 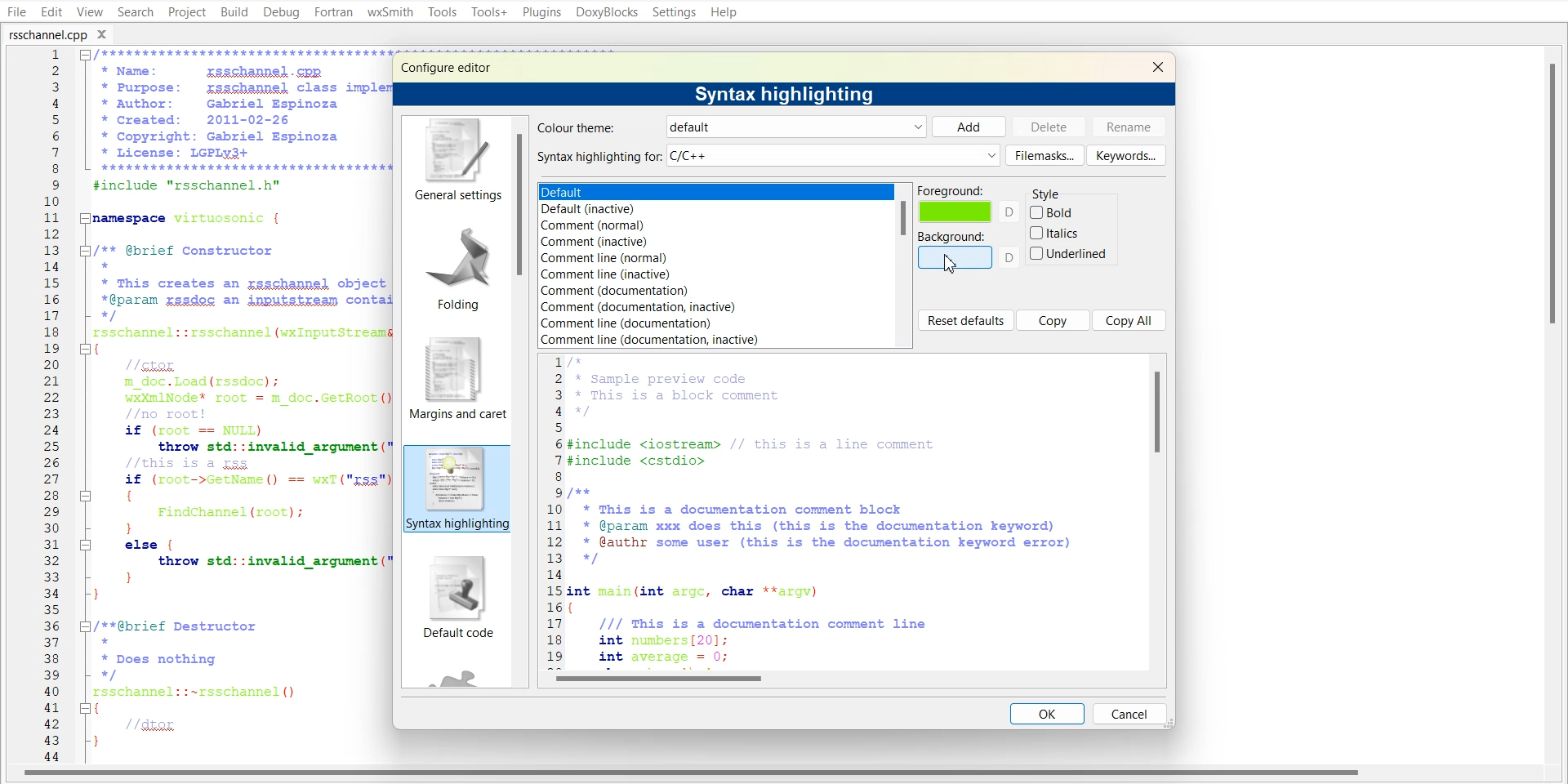 What do you see at coordinates (853, 678) in the screenshot?
I see `Horizontal scroll bar` at bounding box center [853, 678].